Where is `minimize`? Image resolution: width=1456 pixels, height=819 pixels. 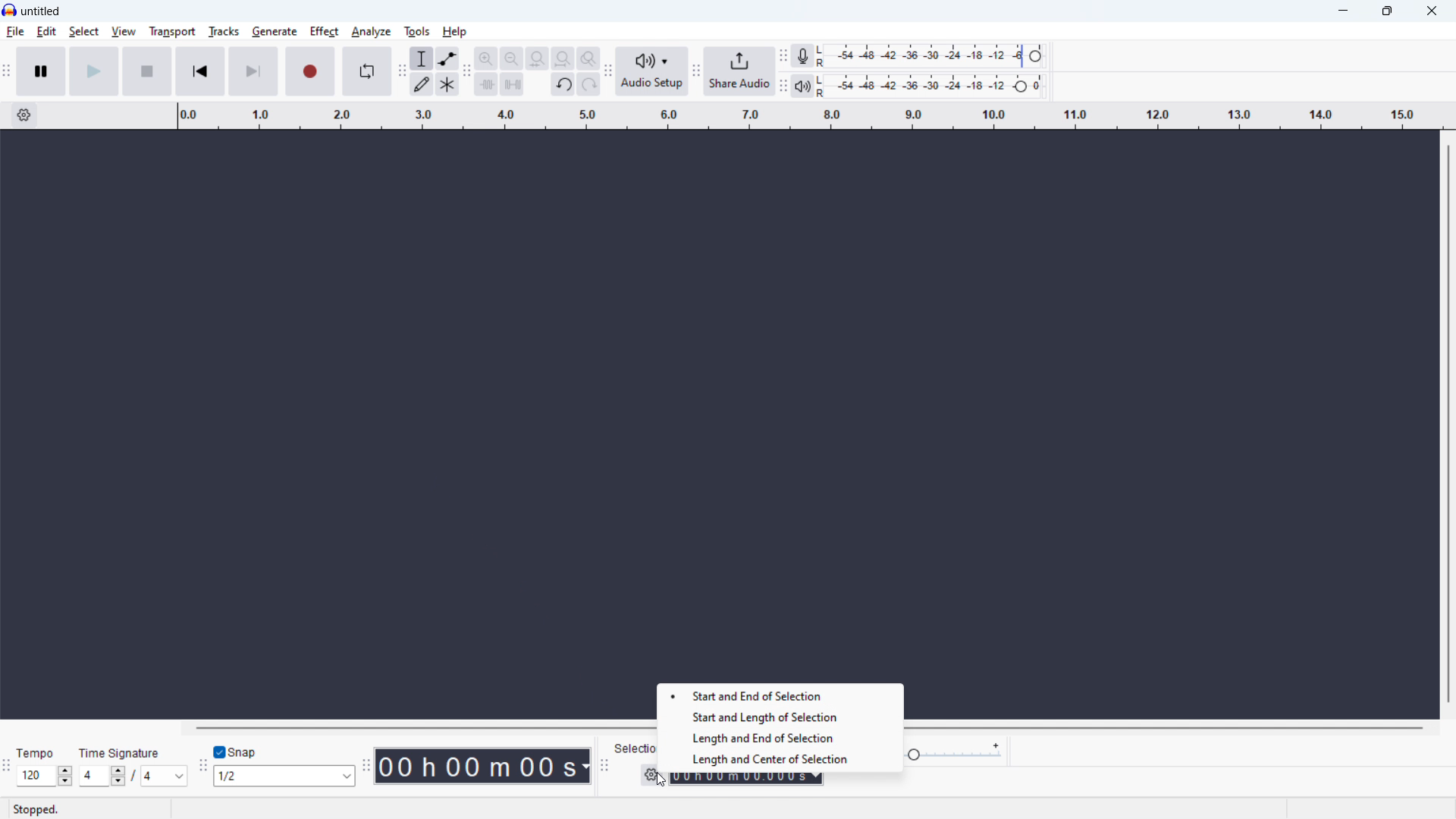
minimize is located at coordinates (1338, 11).